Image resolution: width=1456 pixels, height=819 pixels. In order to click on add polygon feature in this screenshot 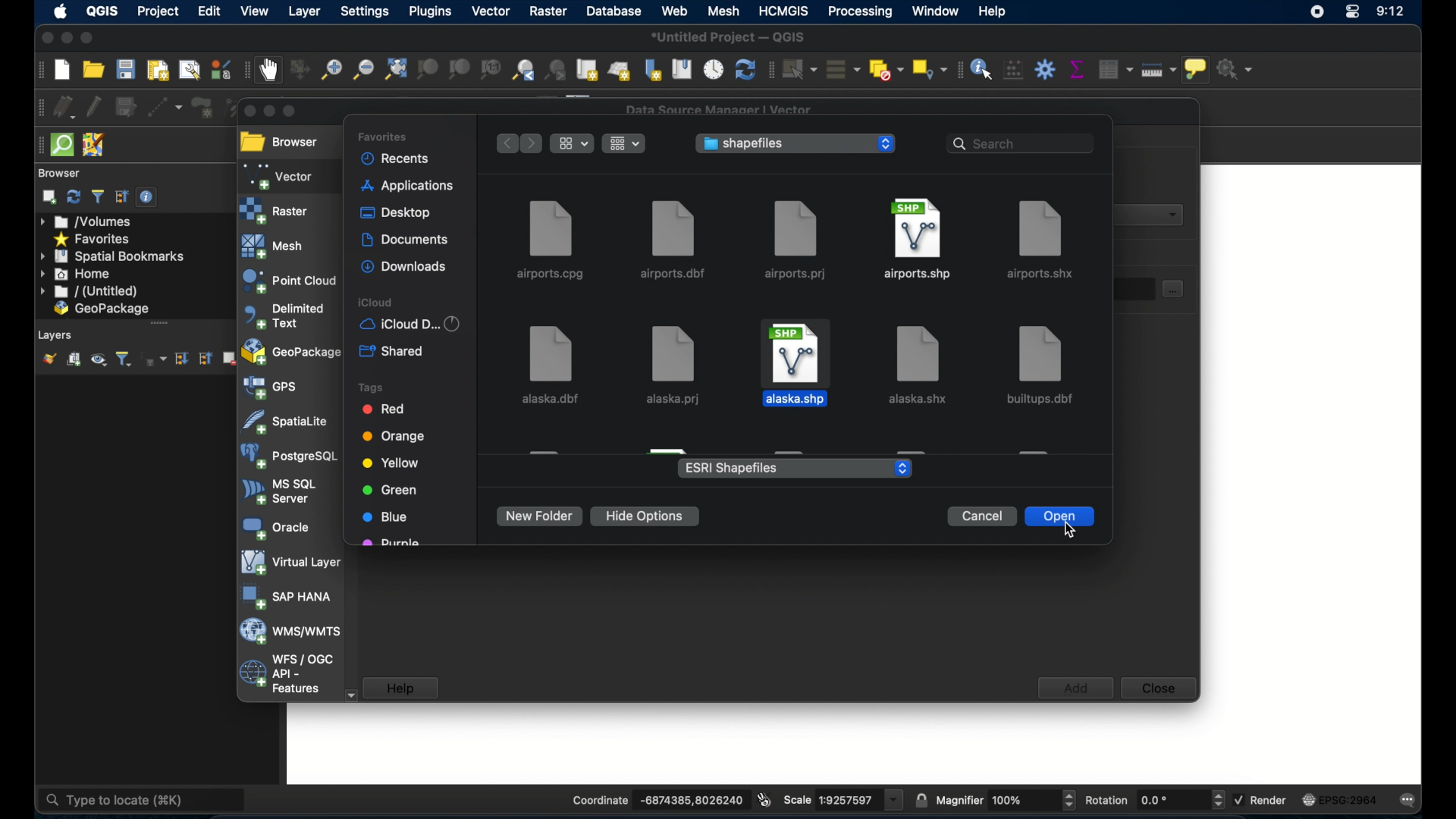, I will do `click(199, 105)`.